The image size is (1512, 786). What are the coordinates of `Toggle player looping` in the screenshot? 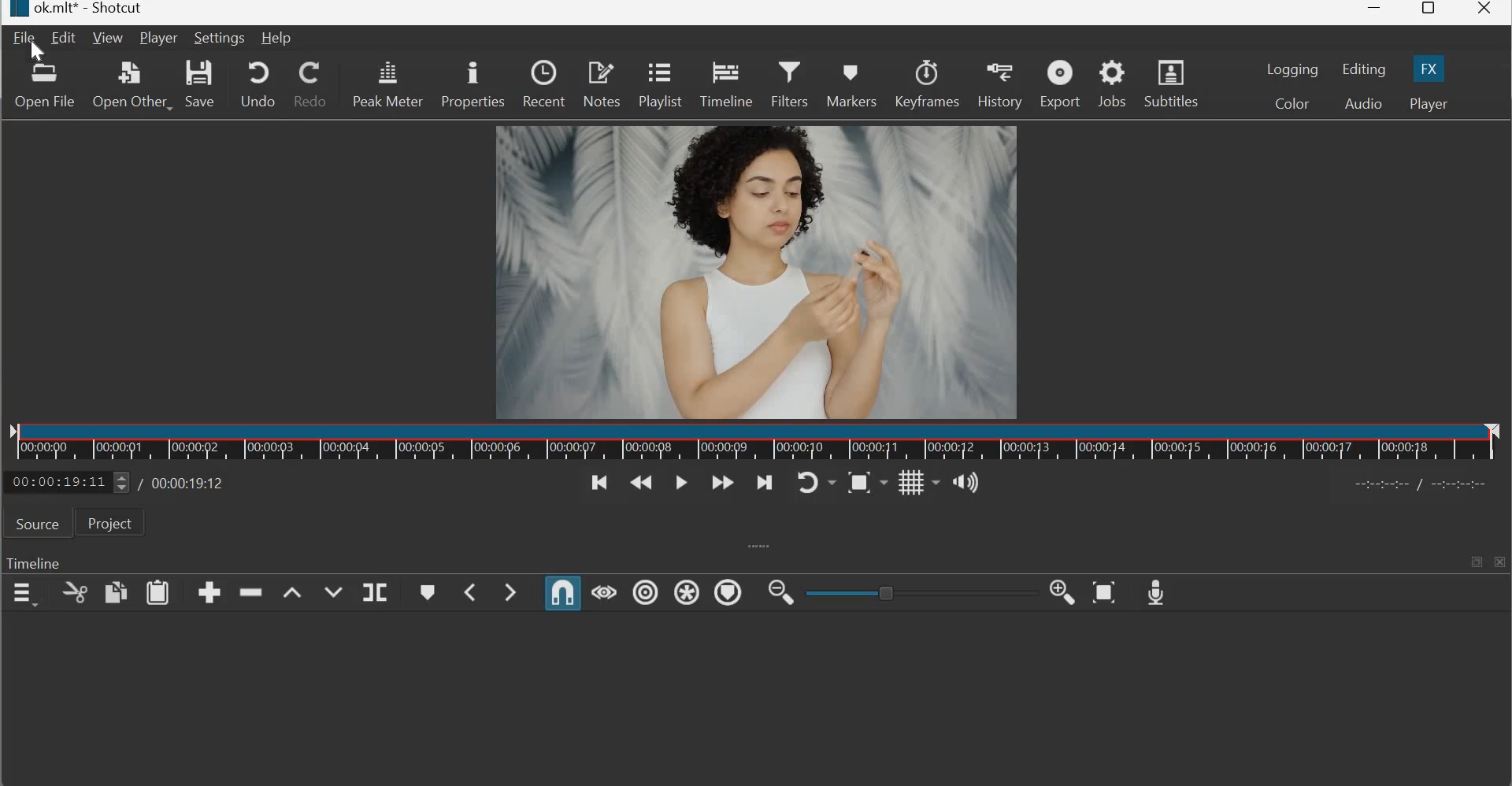 It's located at (816, 482).